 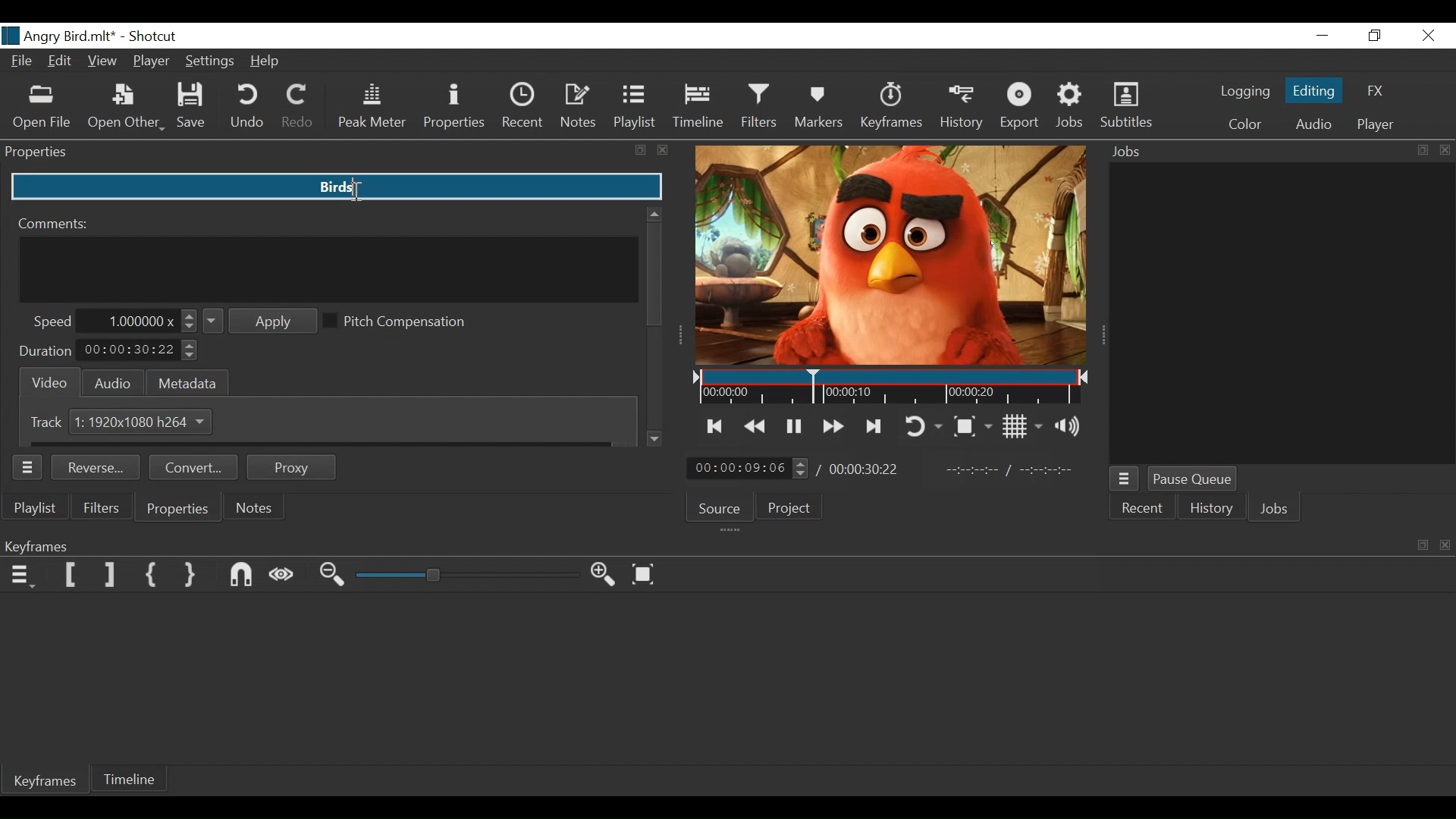 I want to click on logging, so click(x=1239, y=93).